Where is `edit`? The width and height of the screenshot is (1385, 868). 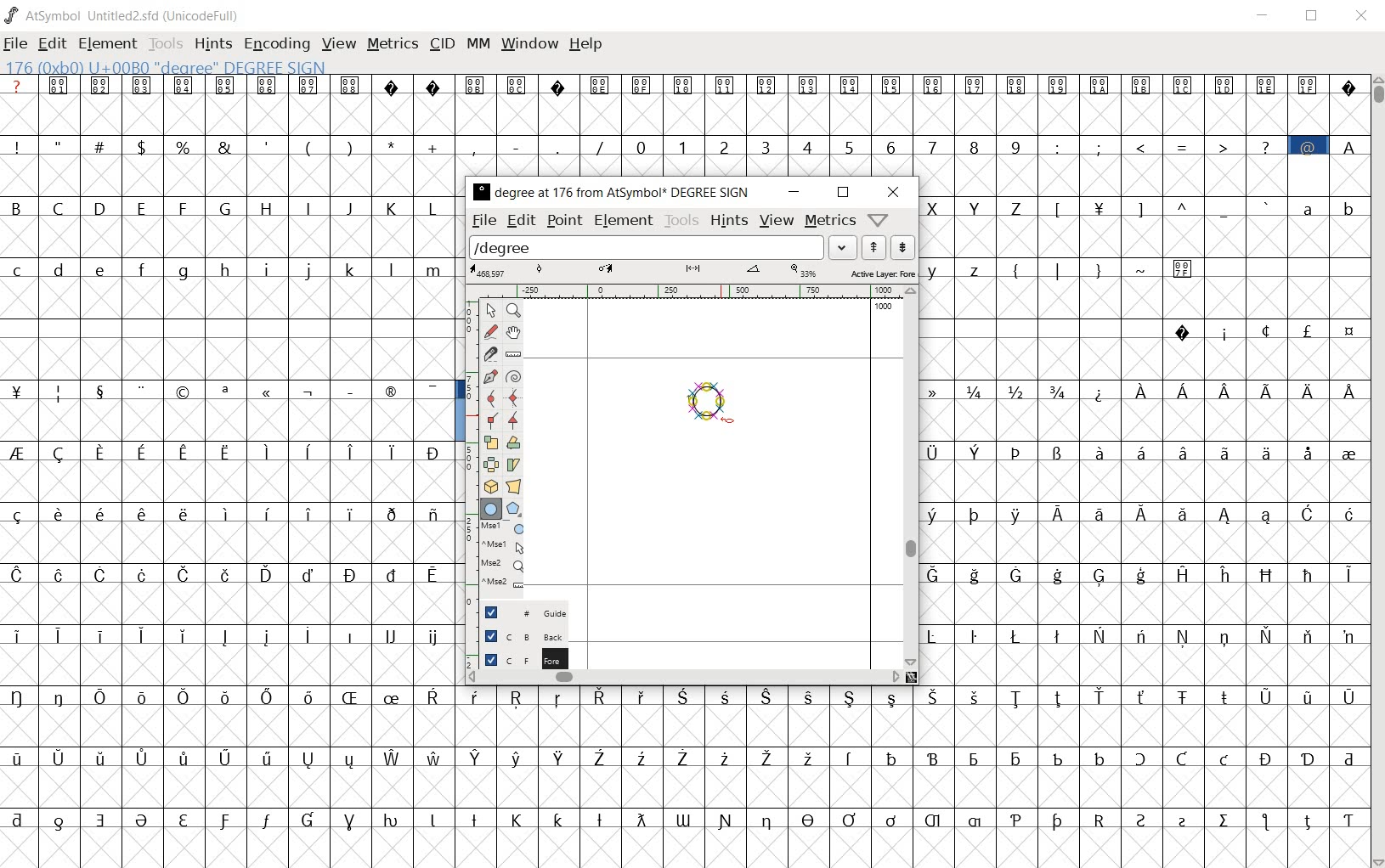
edit is located at coordinates (50, 45).